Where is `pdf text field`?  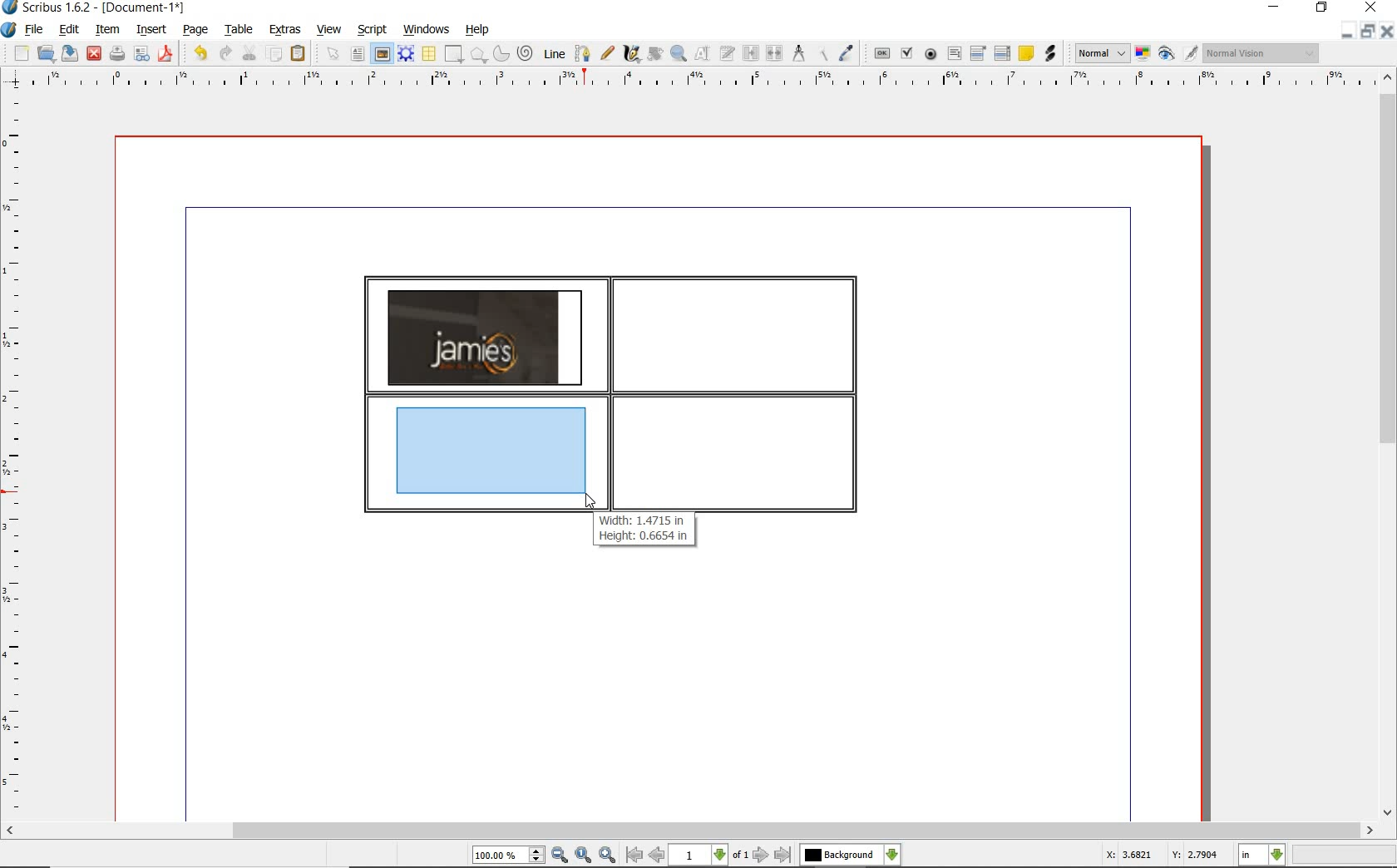 pdf text field is located at coordinates (955, 53).